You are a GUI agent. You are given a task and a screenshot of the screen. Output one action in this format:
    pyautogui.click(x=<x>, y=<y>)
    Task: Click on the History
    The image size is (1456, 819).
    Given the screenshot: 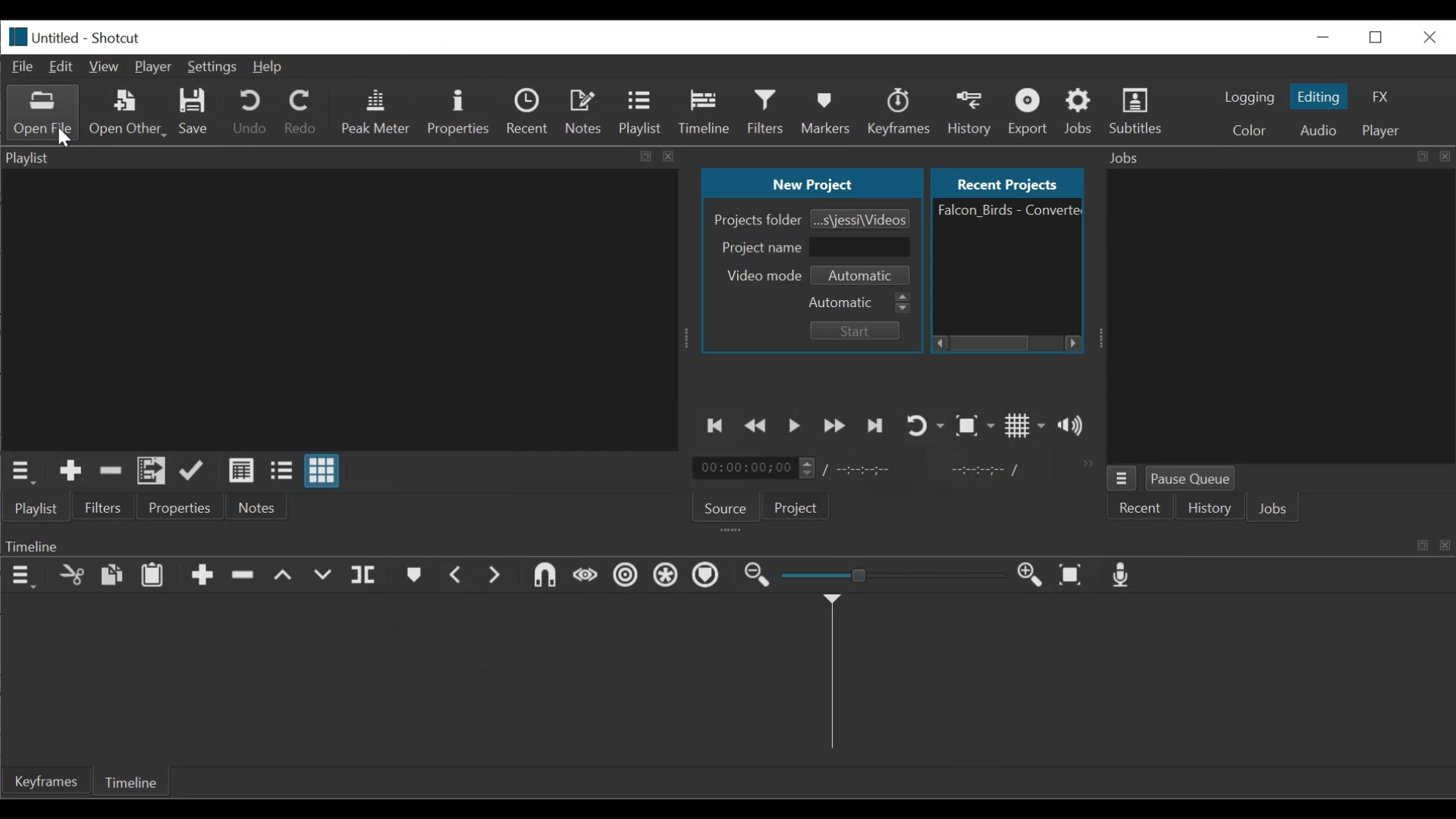 What is the action you would take?
    pyautogui.click(x=1212, y=510)
    